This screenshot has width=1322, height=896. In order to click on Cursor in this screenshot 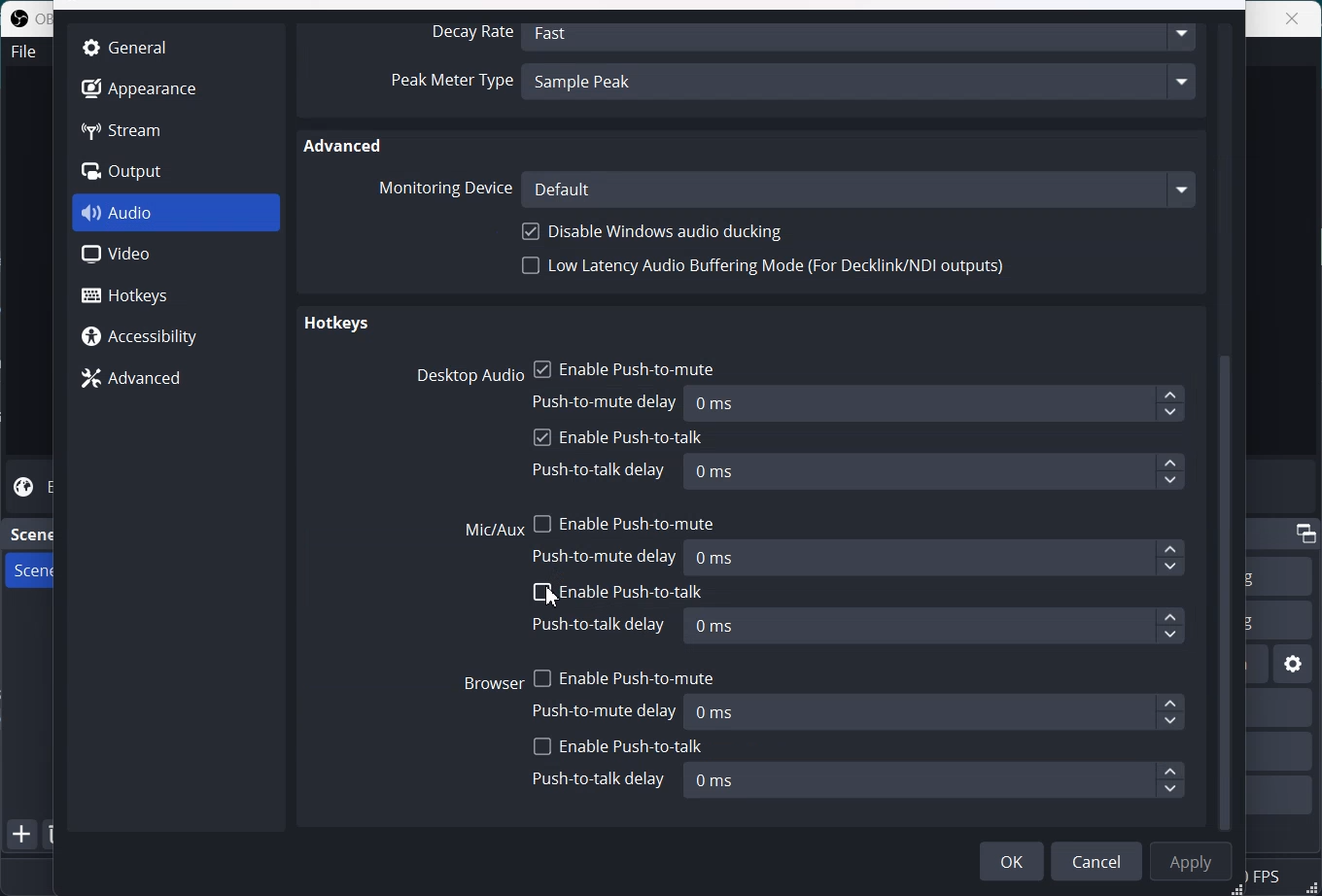, I will do `click(554, 597)`.